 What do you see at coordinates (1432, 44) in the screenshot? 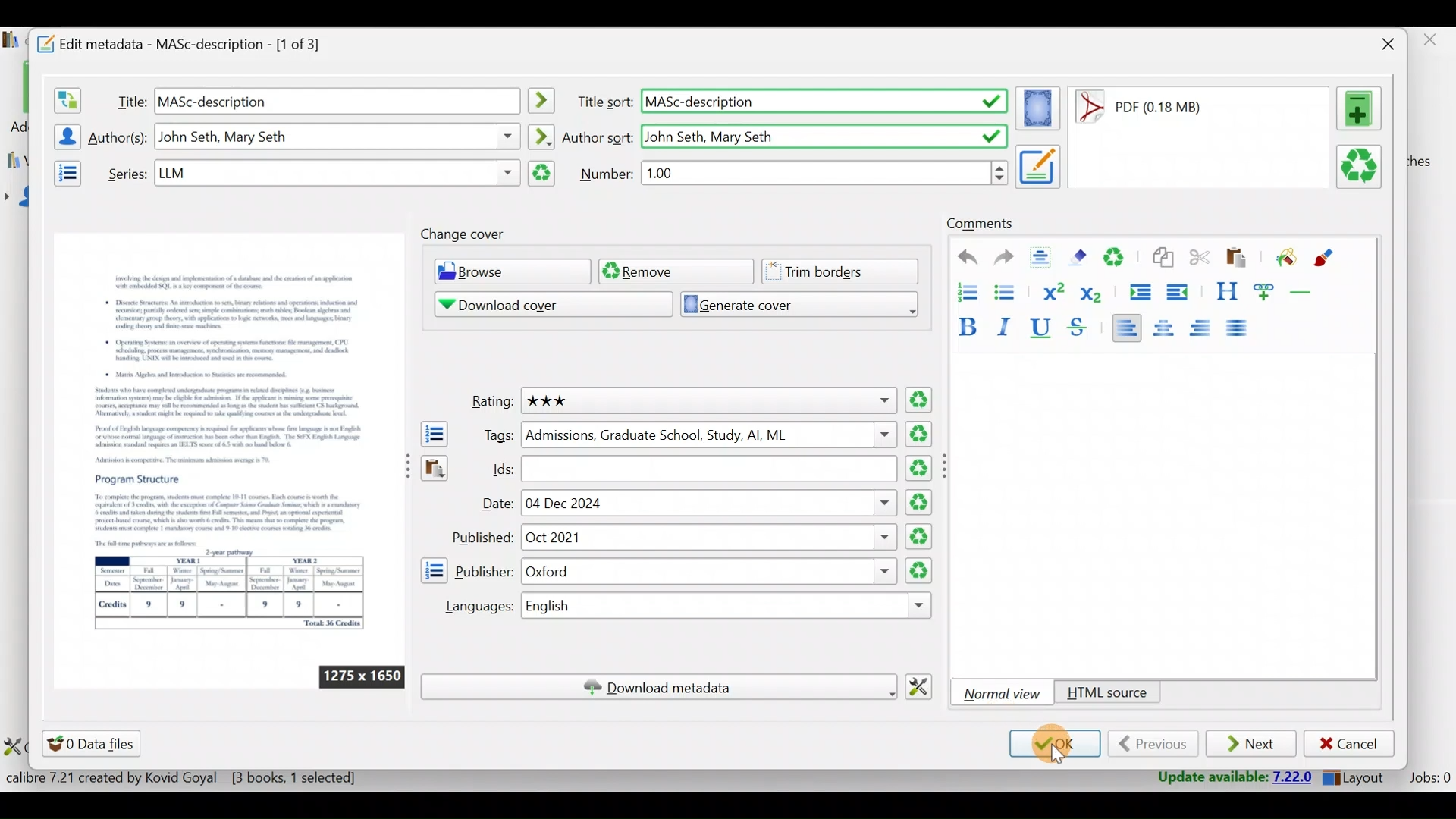
I see ` Close` at bounding box center [1432, 44].